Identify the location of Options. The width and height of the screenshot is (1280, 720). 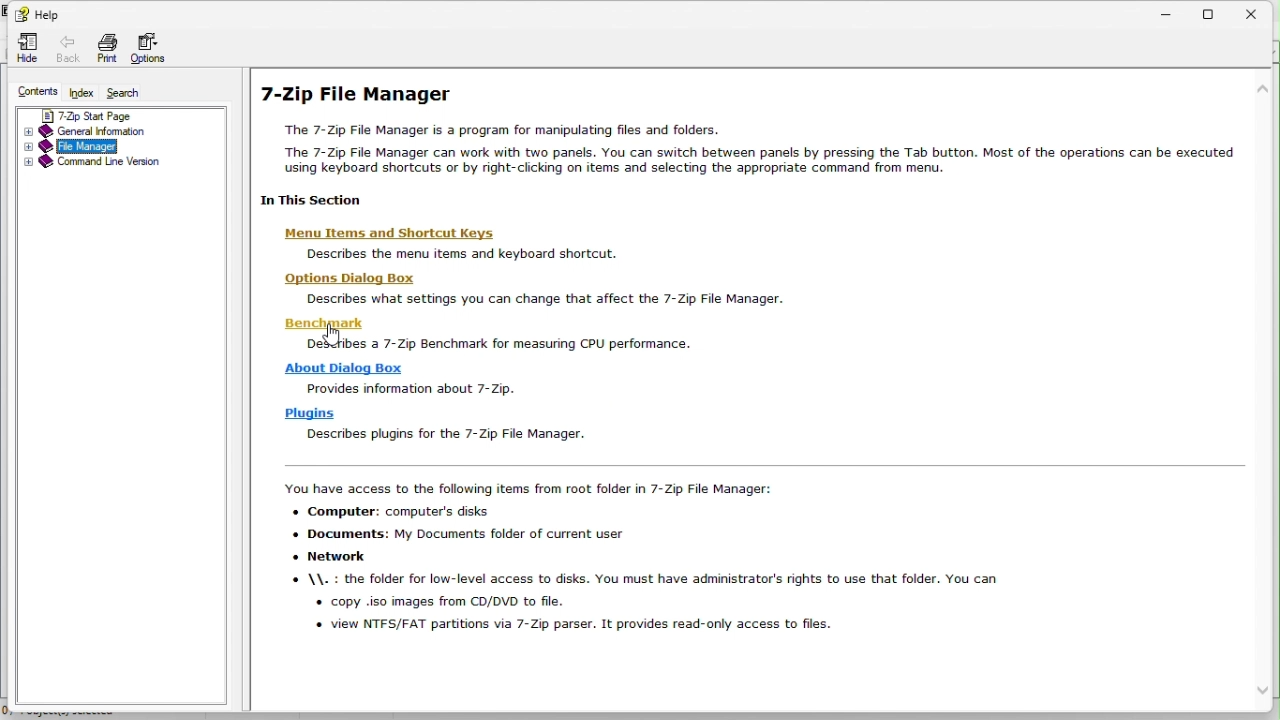
(153, 45).